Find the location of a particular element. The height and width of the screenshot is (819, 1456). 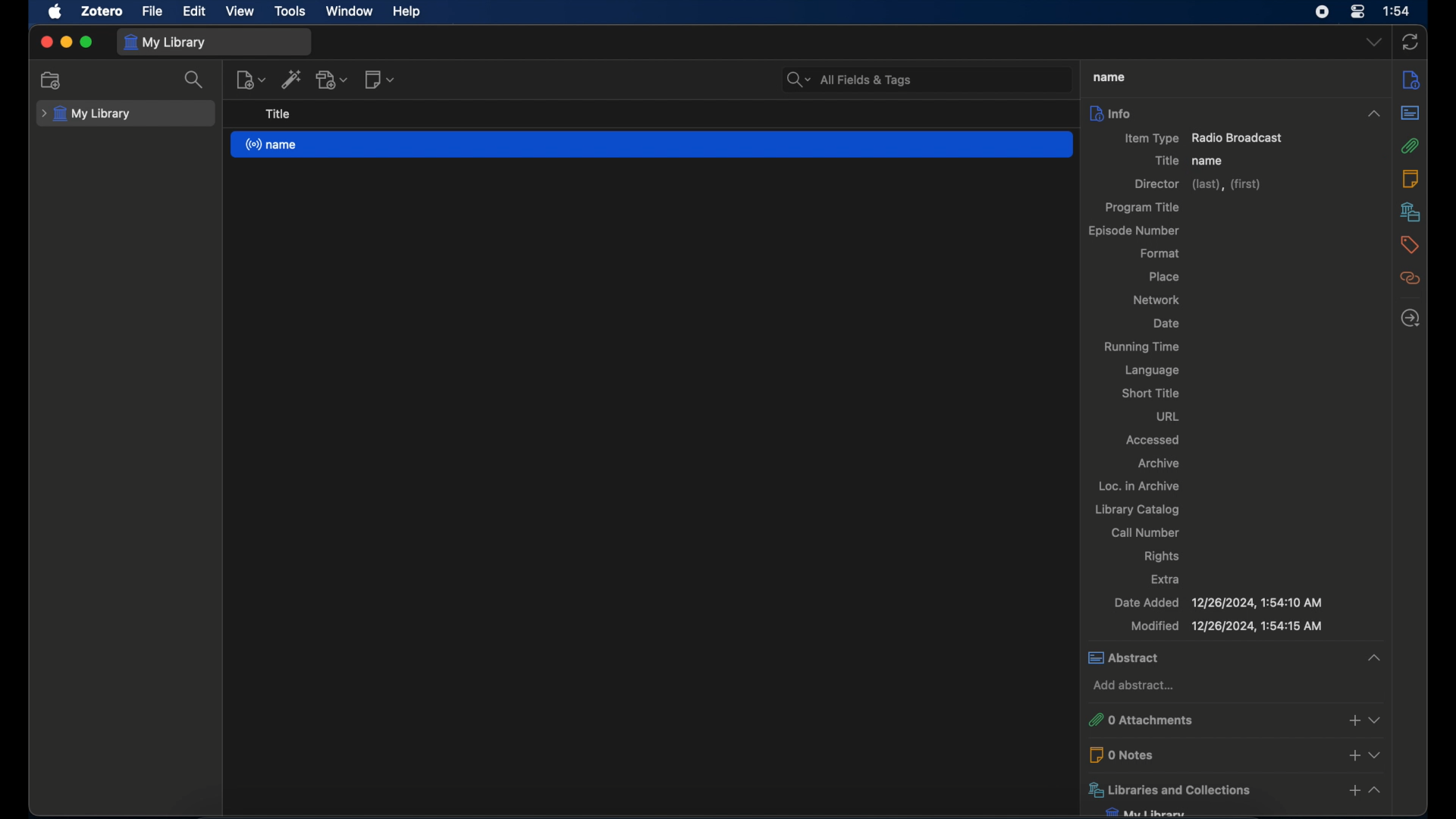

dropdown is located at coordinates (1373, 42).